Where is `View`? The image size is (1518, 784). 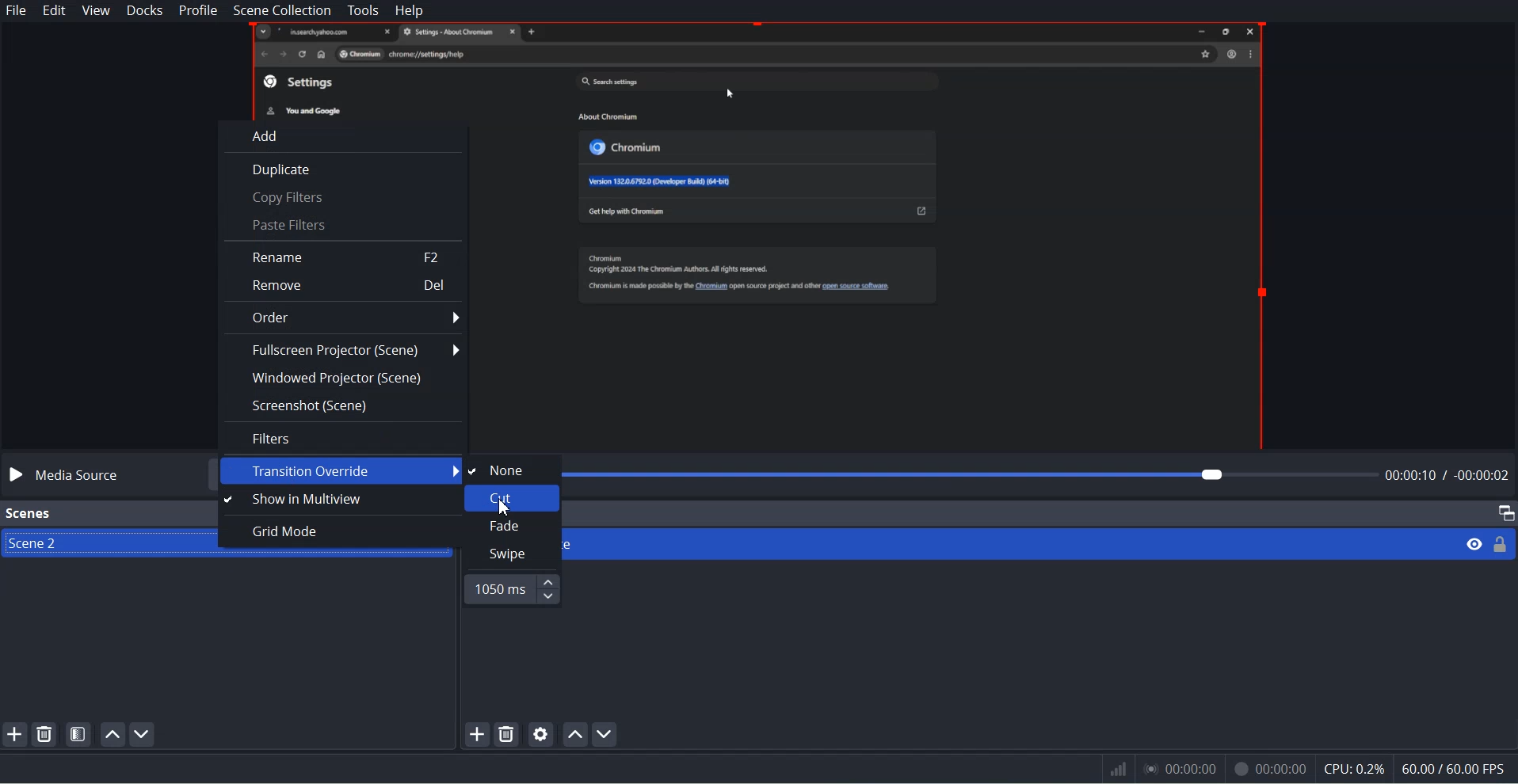
View is located at coordinates (96, 11).